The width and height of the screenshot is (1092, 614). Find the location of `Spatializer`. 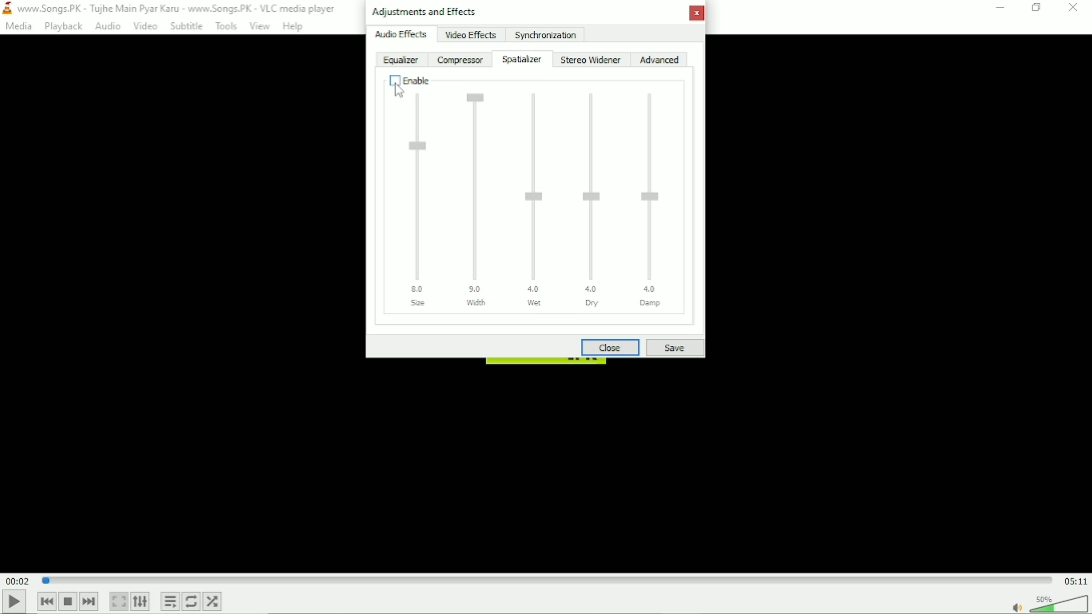

Spatializer is located at coordinates (522, 59).